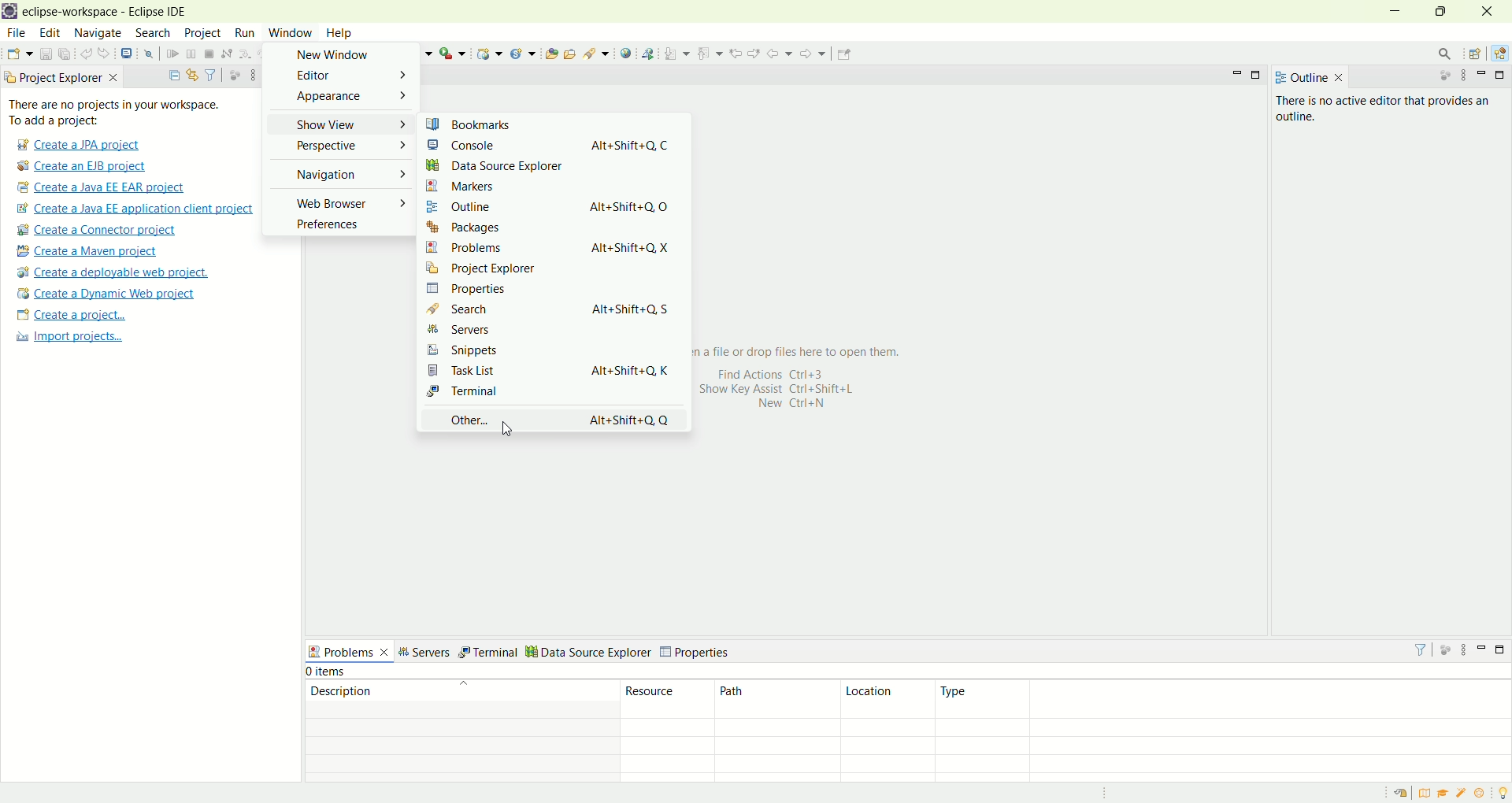 The image size is (1512, 803). I want to click on Alt+Shift+Q O, so click(632, 202).